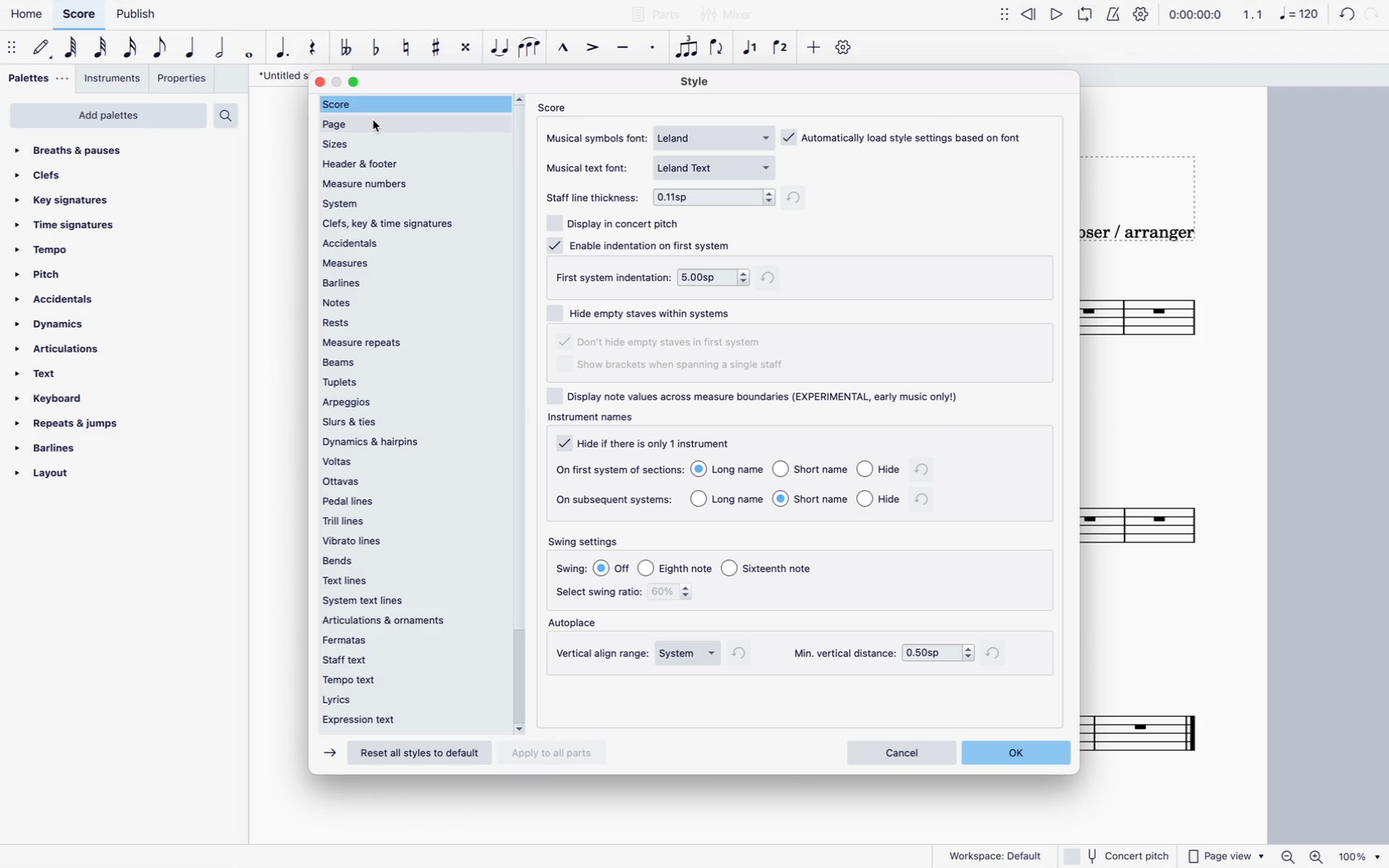  I want to click on on subsequent systems, so click(615, 500).